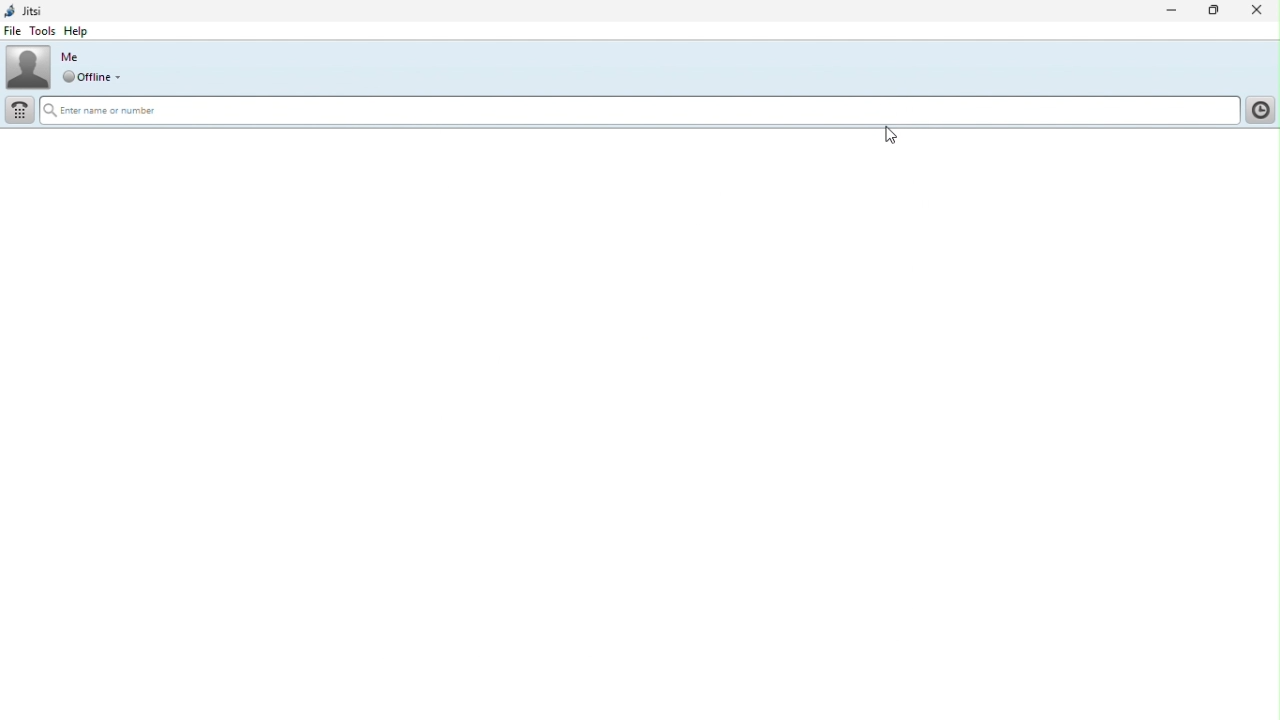 Image resolution: width=1280 pixels, height=720 pixels. What do you see at coordinates (70, 67) in the screenshot?
I see `Profile picture and online status` at bounding box center [70, 67].